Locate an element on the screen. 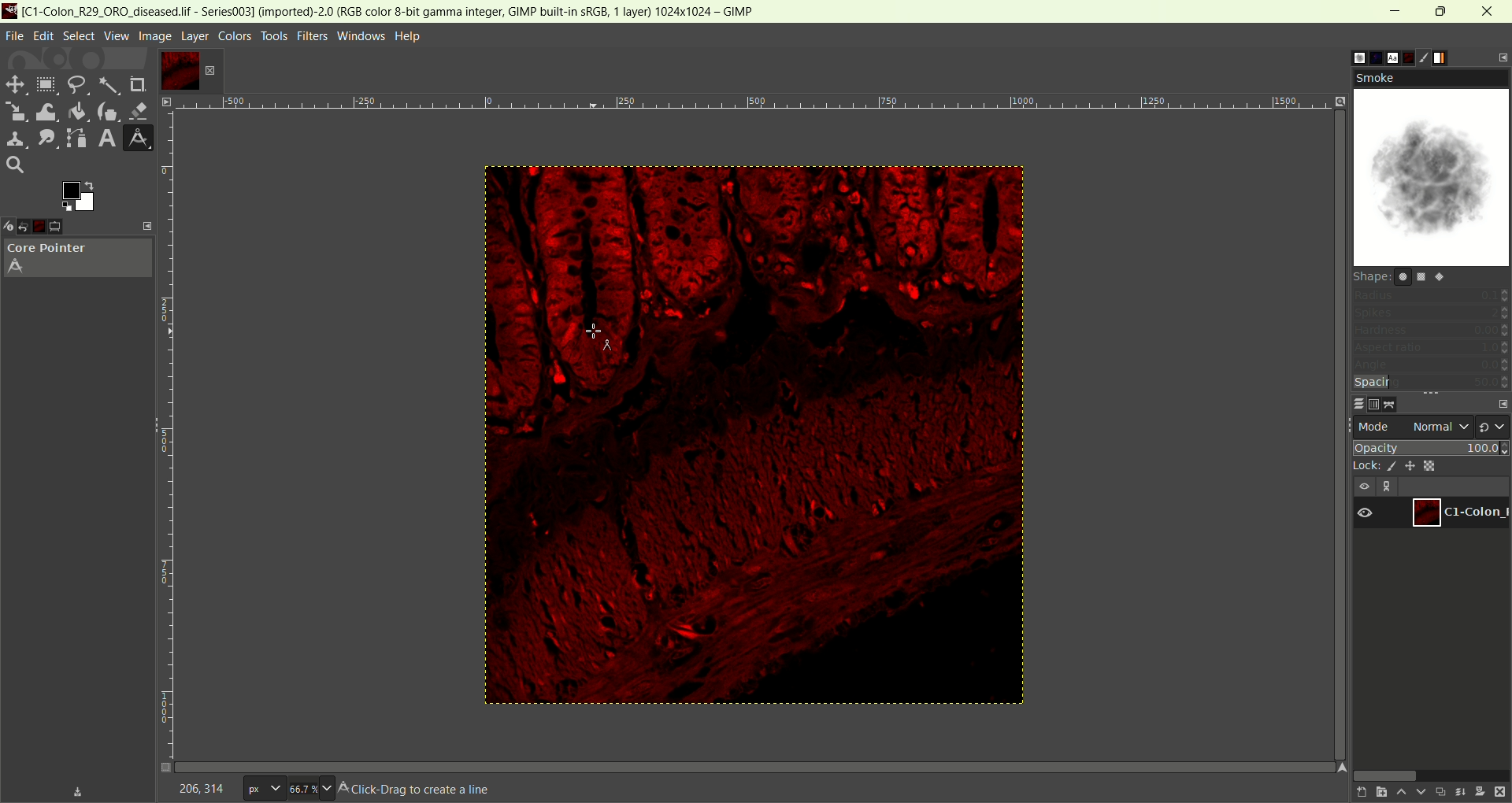  radius is located at coordinates (1431, 296).